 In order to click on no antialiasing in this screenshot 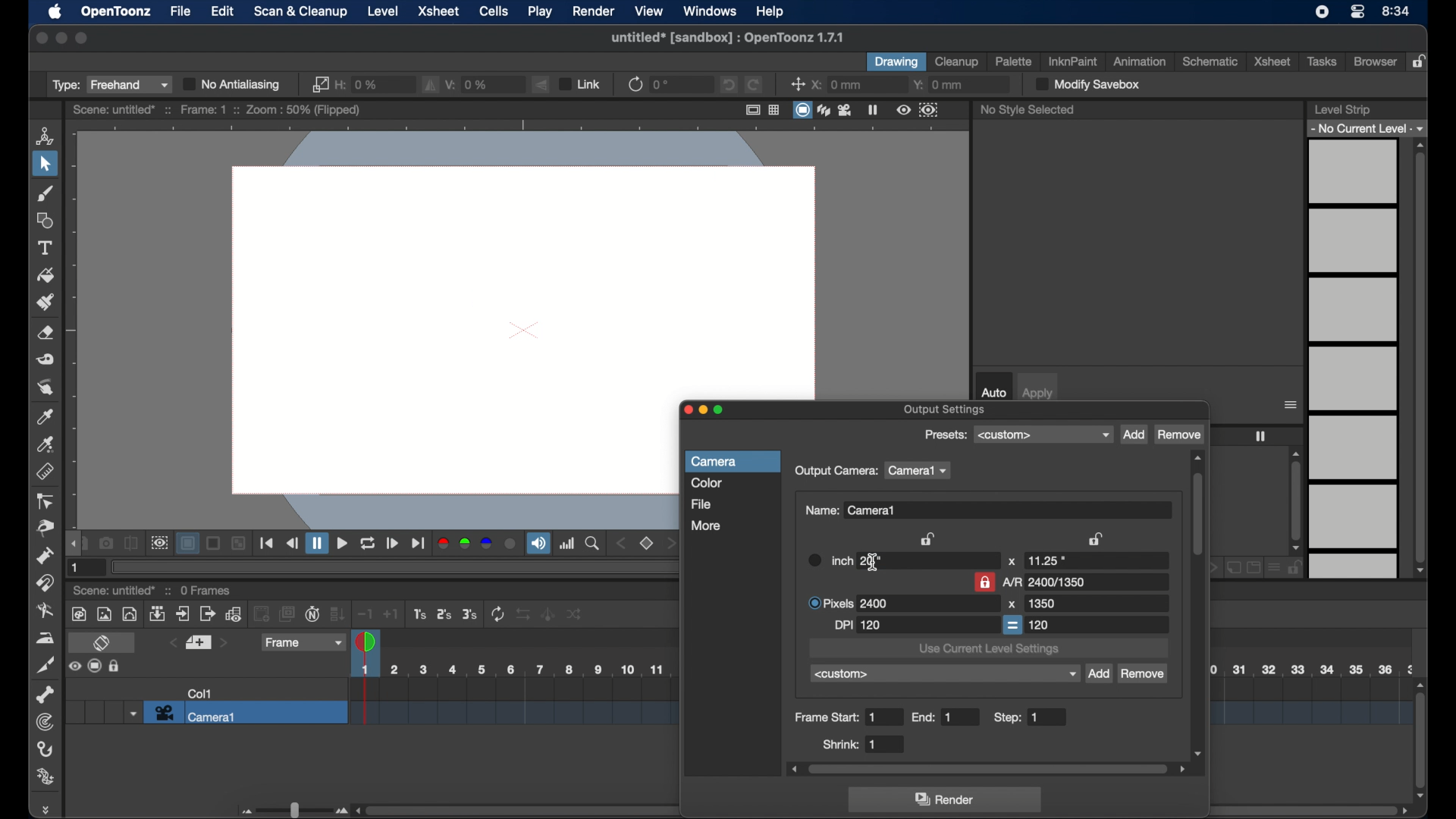, I will do `click(233, 84)`.